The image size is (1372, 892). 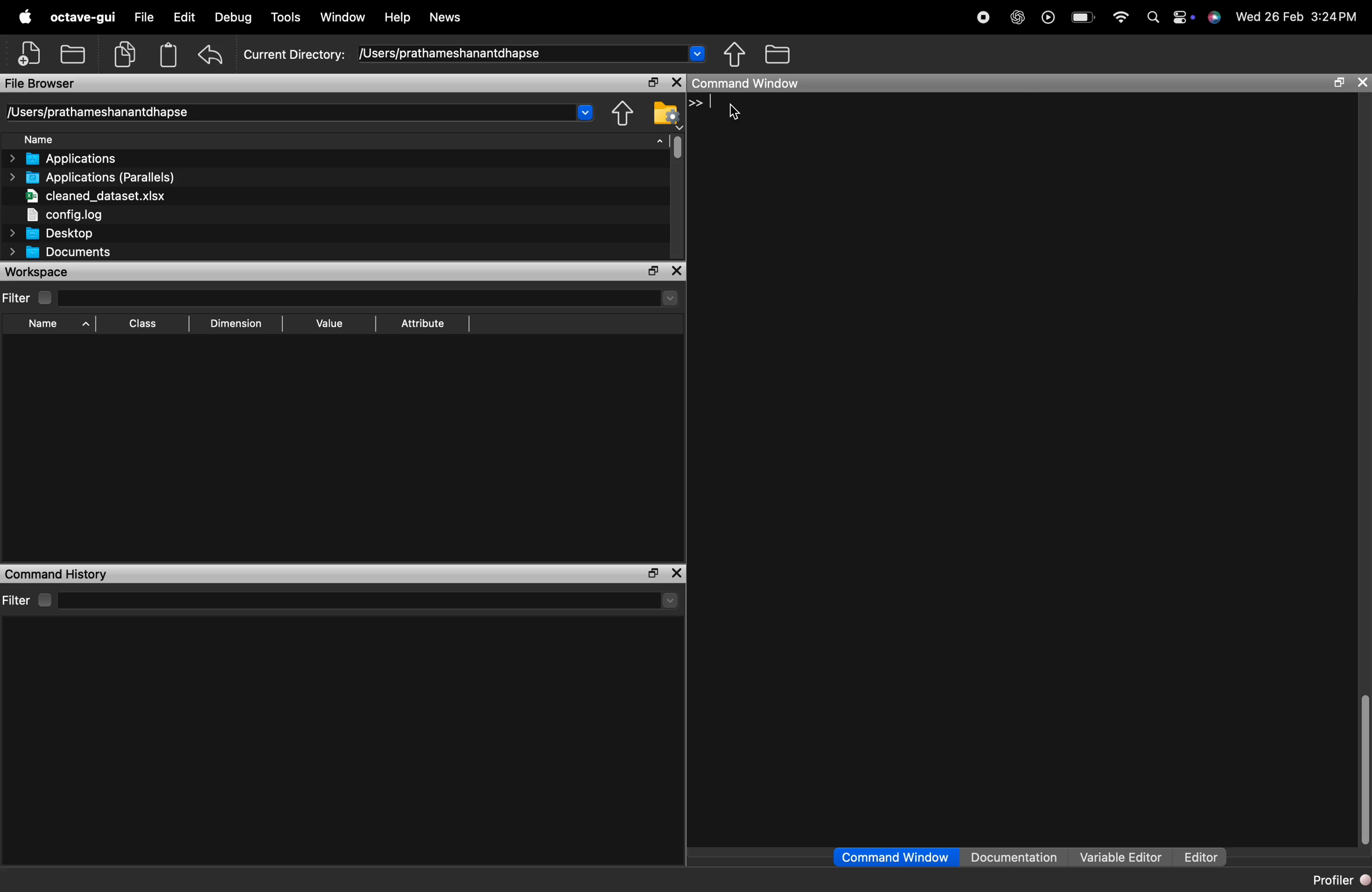 I want to click on Command Window, so click(x=896, y=857).